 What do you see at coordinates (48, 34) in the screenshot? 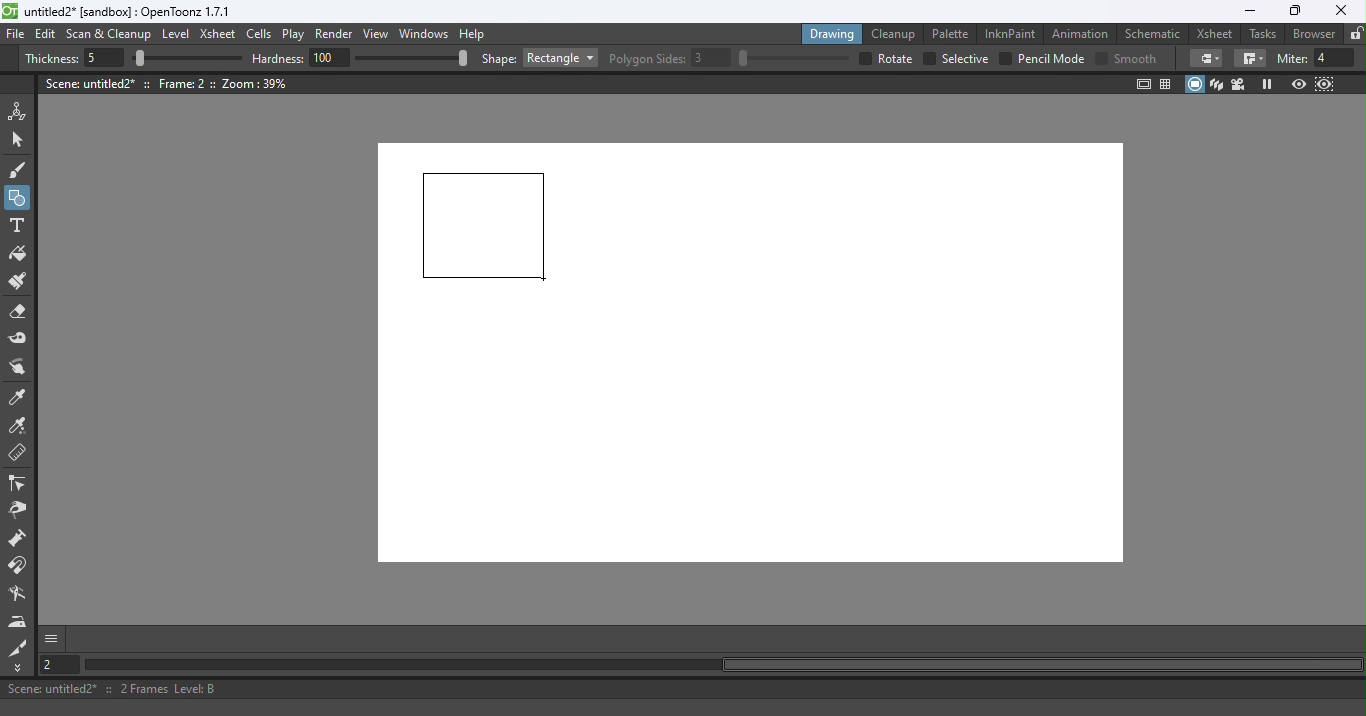
I see `Edit` at bounding box center [48, 34].